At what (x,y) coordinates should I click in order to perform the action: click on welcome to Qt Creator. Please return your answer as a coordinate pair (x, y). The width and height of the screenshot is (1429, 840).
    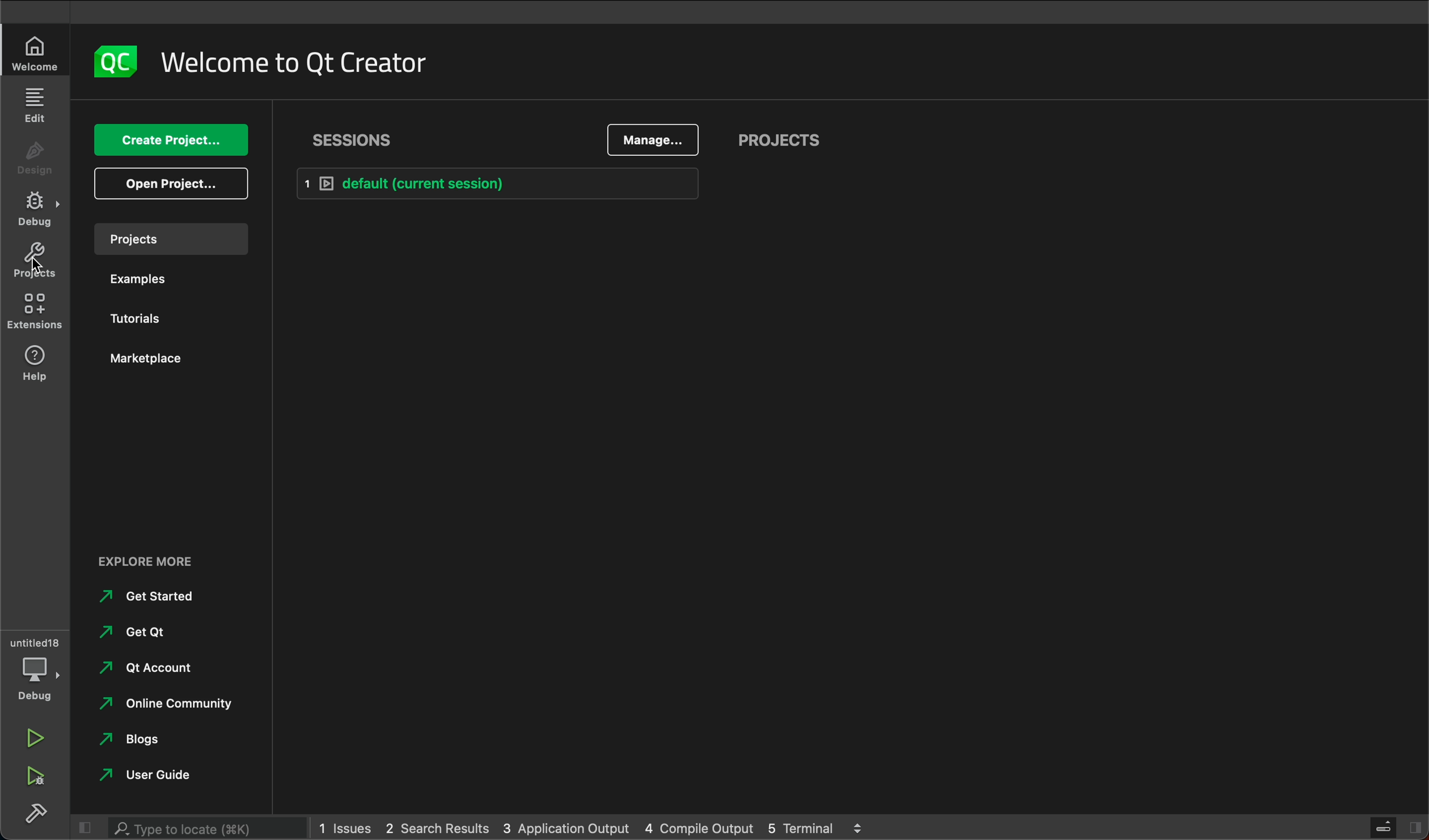
    Looking at the image, I should click on (302, 62).